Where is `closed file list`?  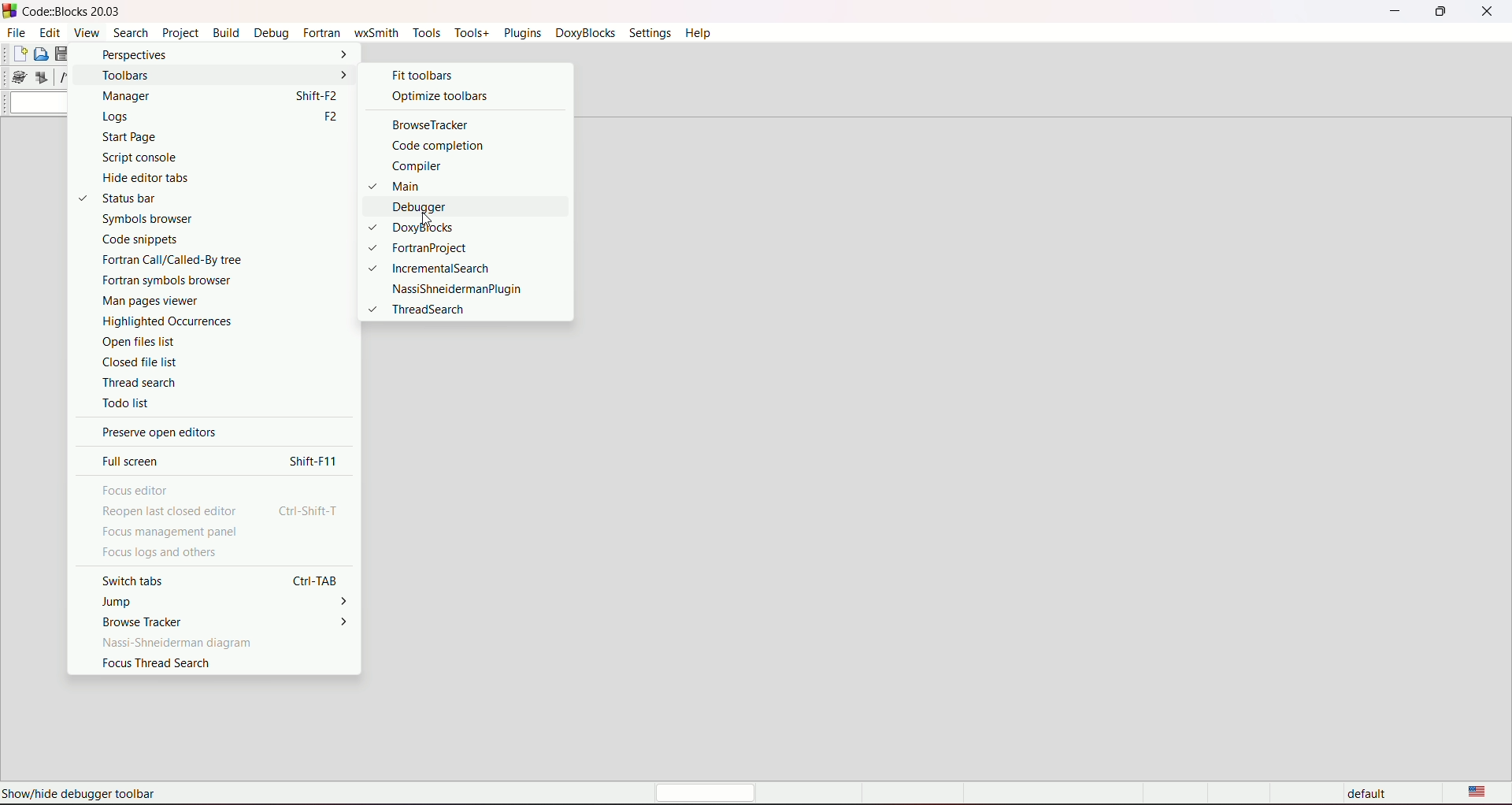 closed file list is located at coordinates (209, 364).